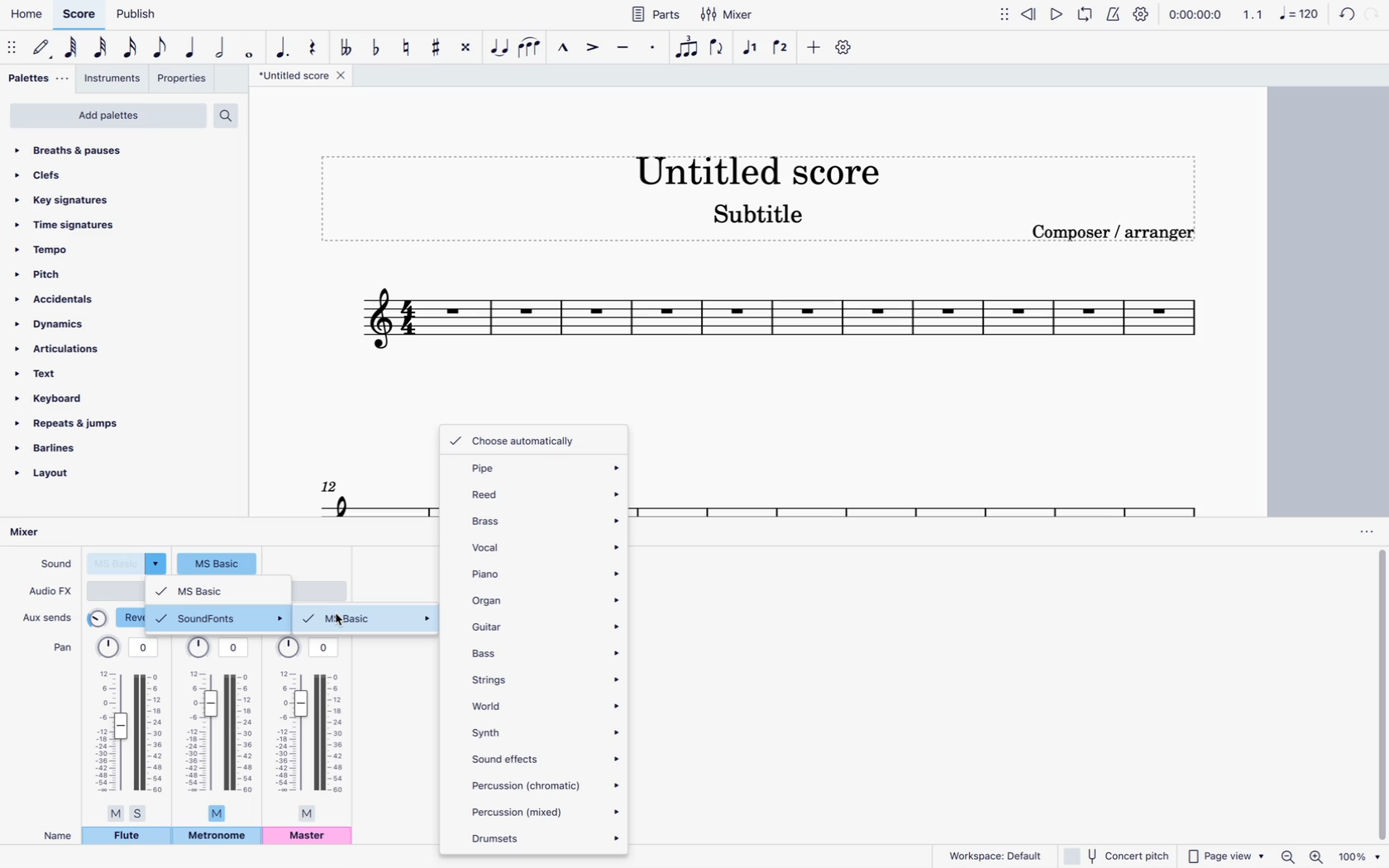 The width and height of the screenshot is (1389, 868). I want to click on flute, so click(126, 836).